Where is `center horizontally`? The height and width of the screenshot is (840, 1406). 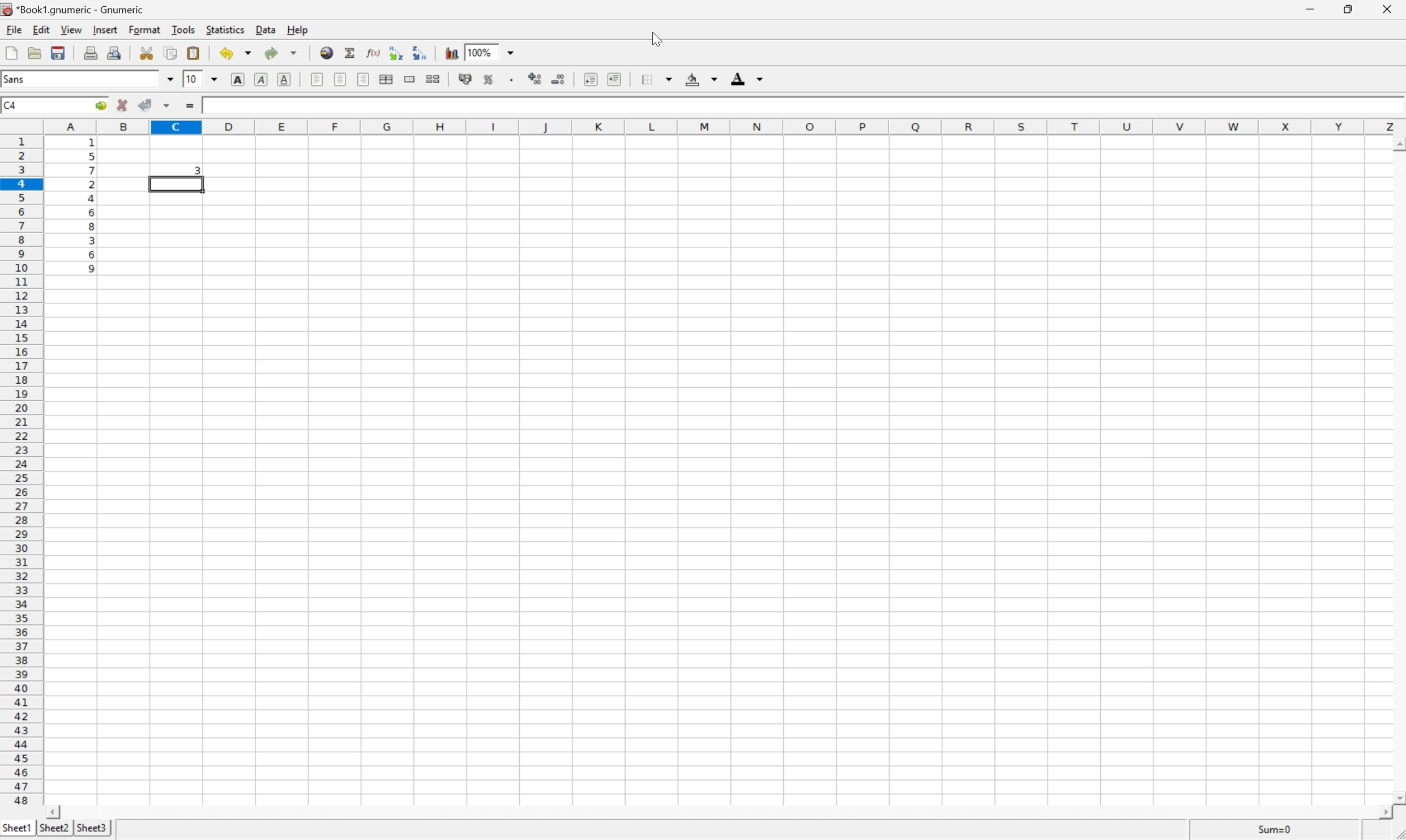
center horizontally is located at coordinates (388, 79).